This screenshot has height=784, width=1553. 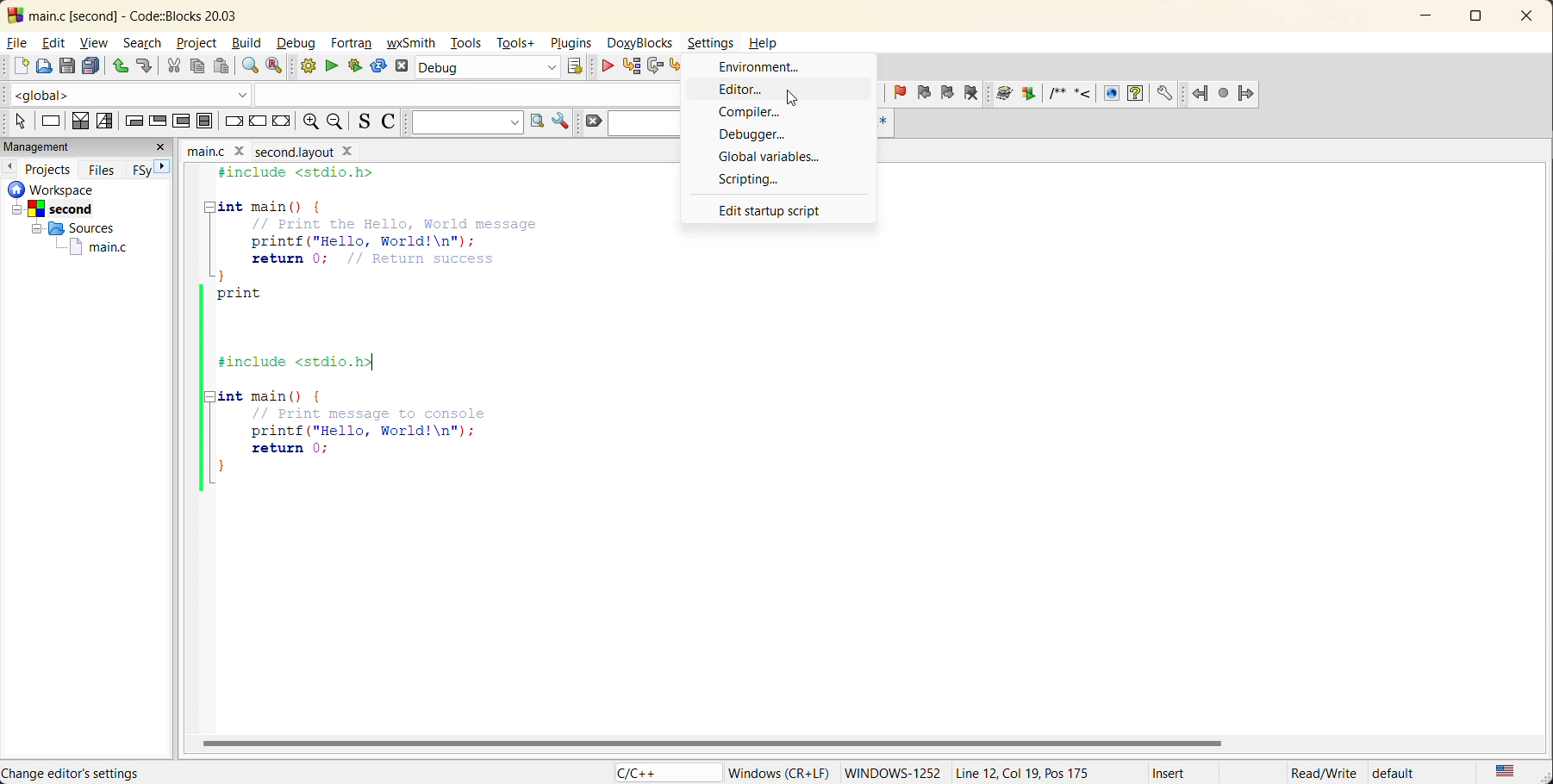 I want to click on search, so click(x=645, y=124).